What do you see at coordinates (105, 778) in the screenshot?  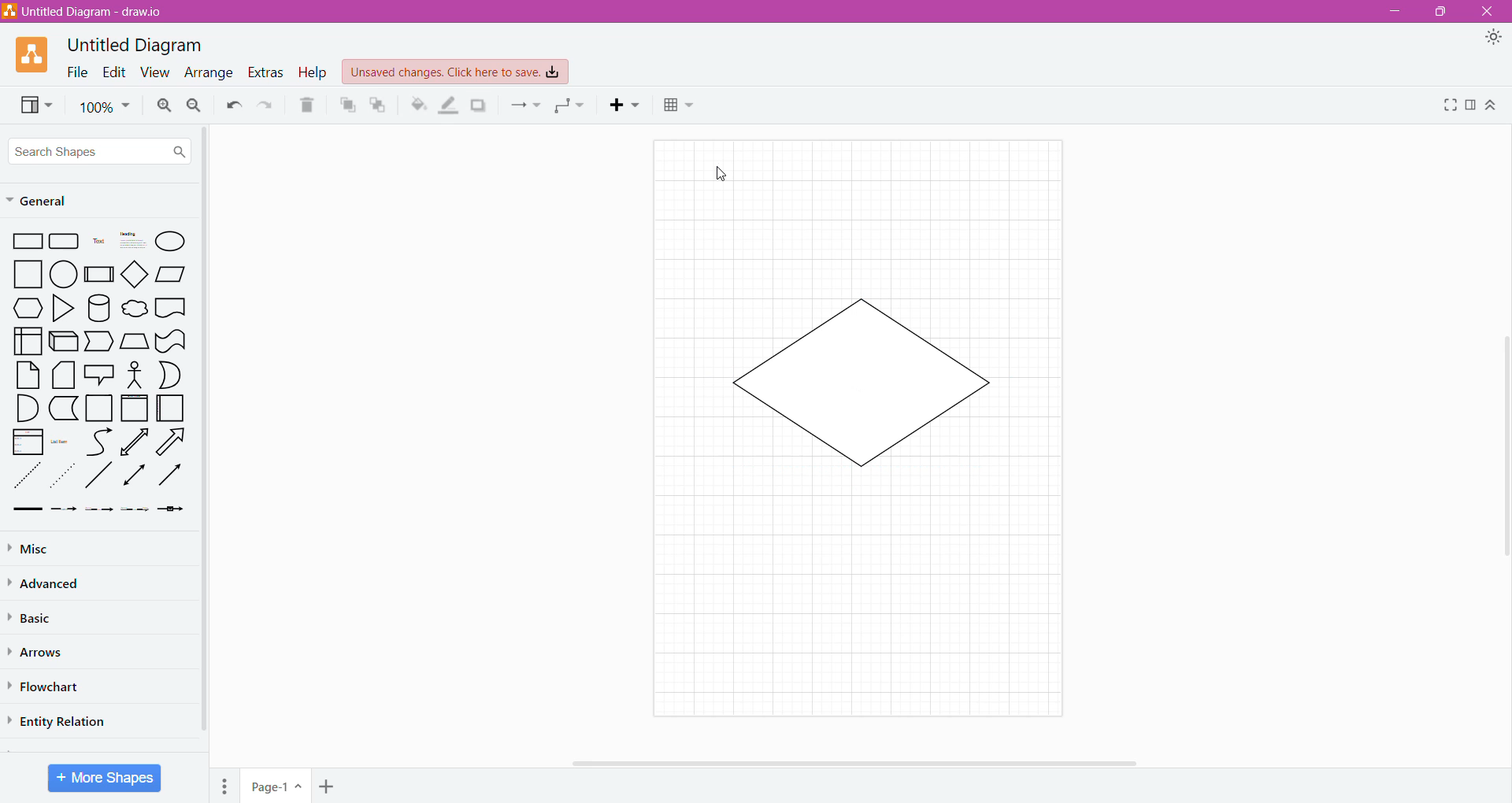 I see `More Shapes` at bounding box center [105, 778].